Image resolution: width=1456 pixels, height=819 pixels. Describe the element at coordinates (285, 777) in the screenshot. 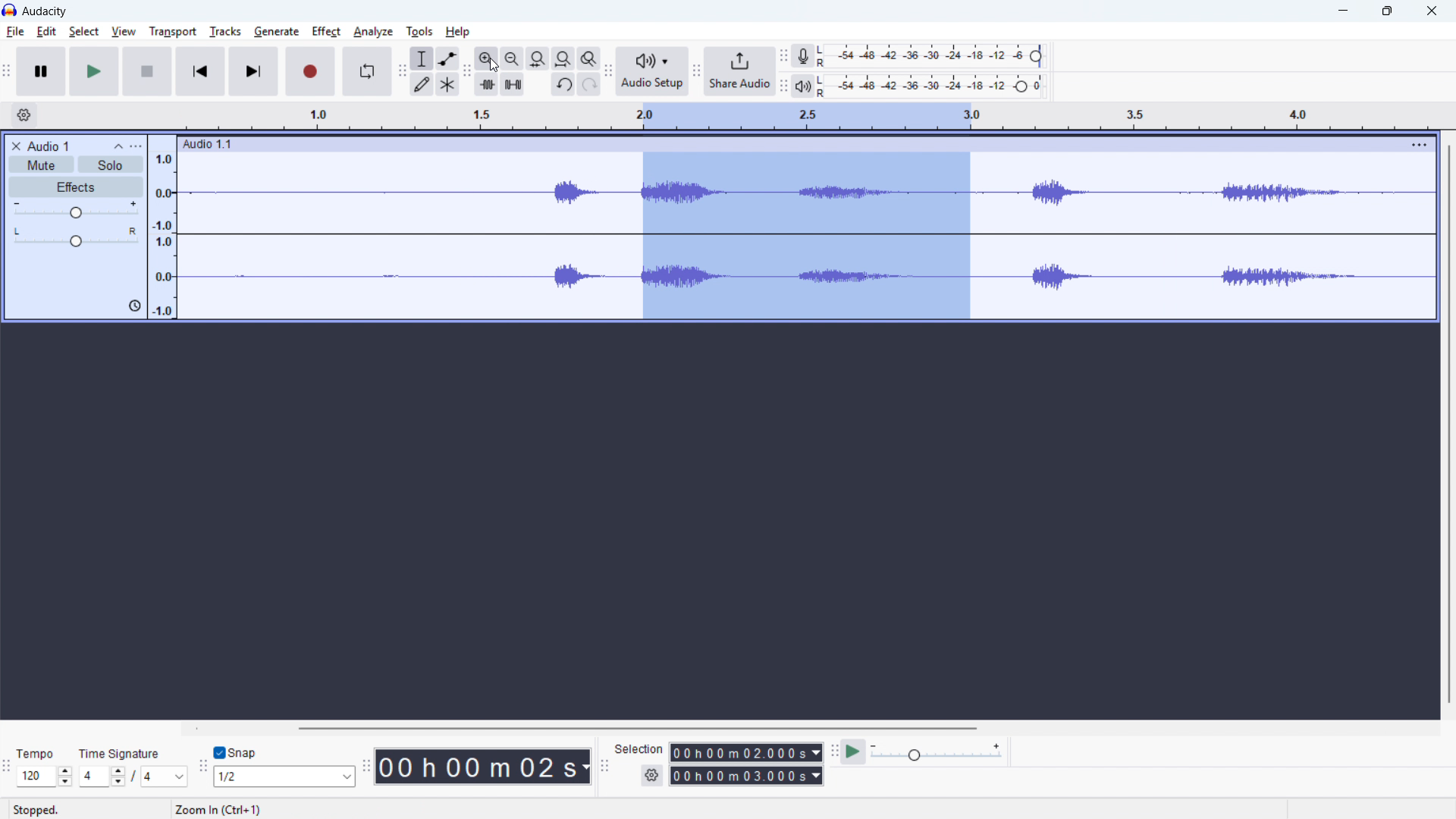

I see `Set snapping` at that location.